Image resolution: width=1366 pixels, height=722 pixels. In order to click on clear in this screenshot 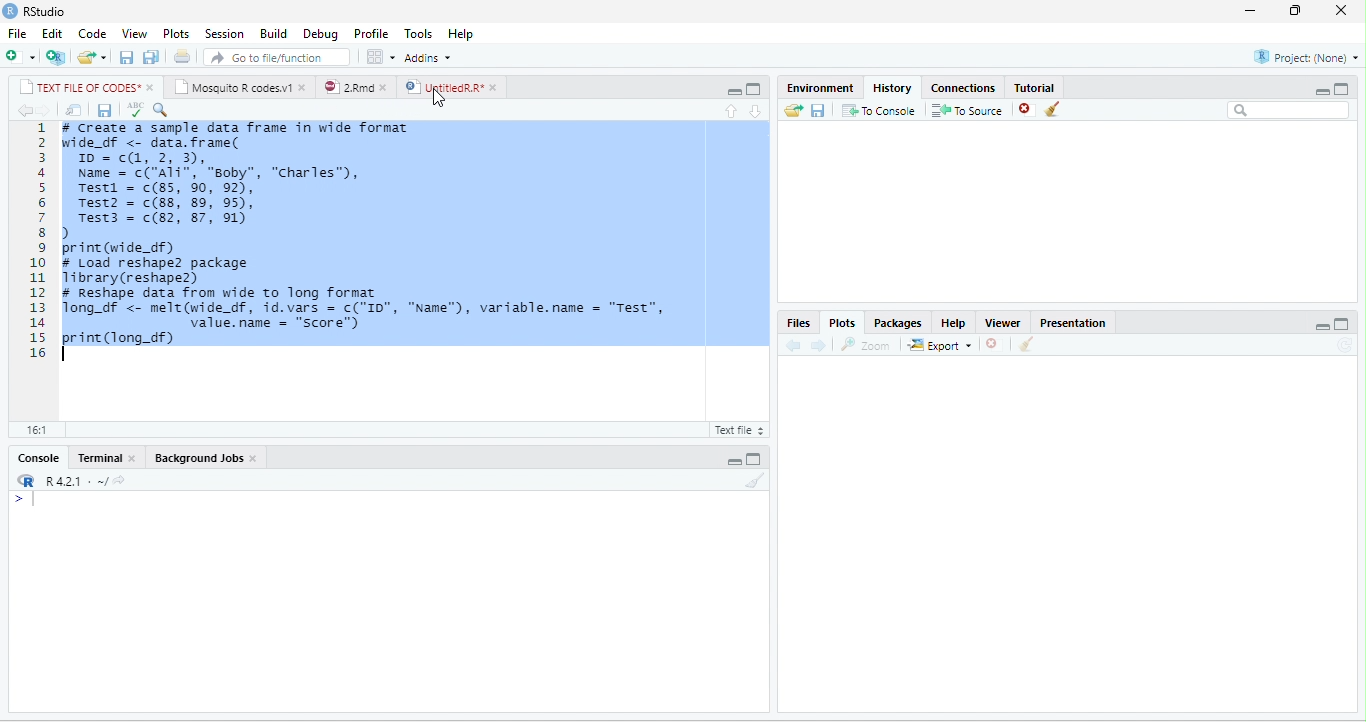, I will do `click(756, 480)`.